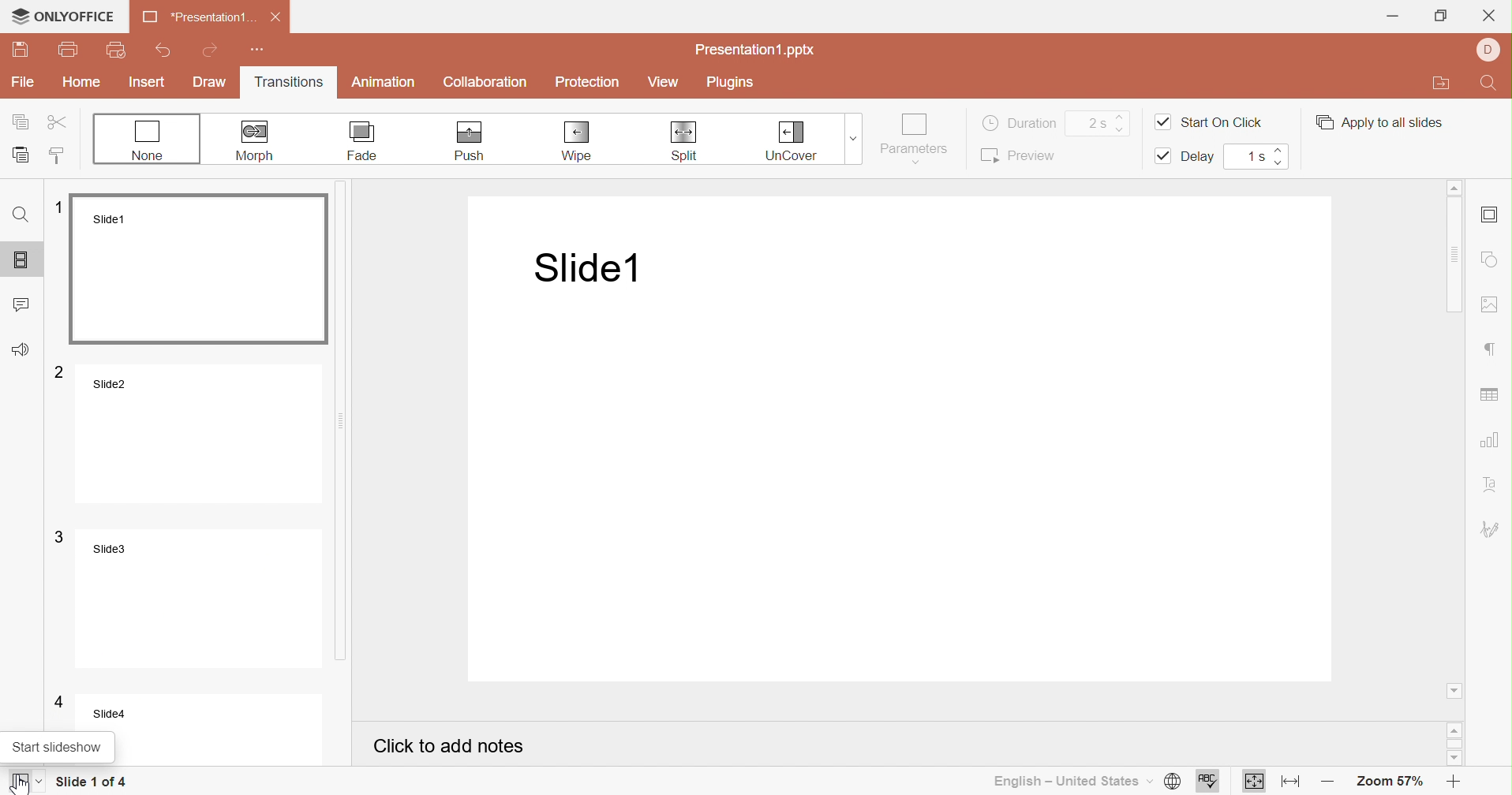 This screenshot has width=1512, height=795. What do you see at coordinates (1491, 15) in the screenshot?
I see `Close` at bounding box center [1491, 15].